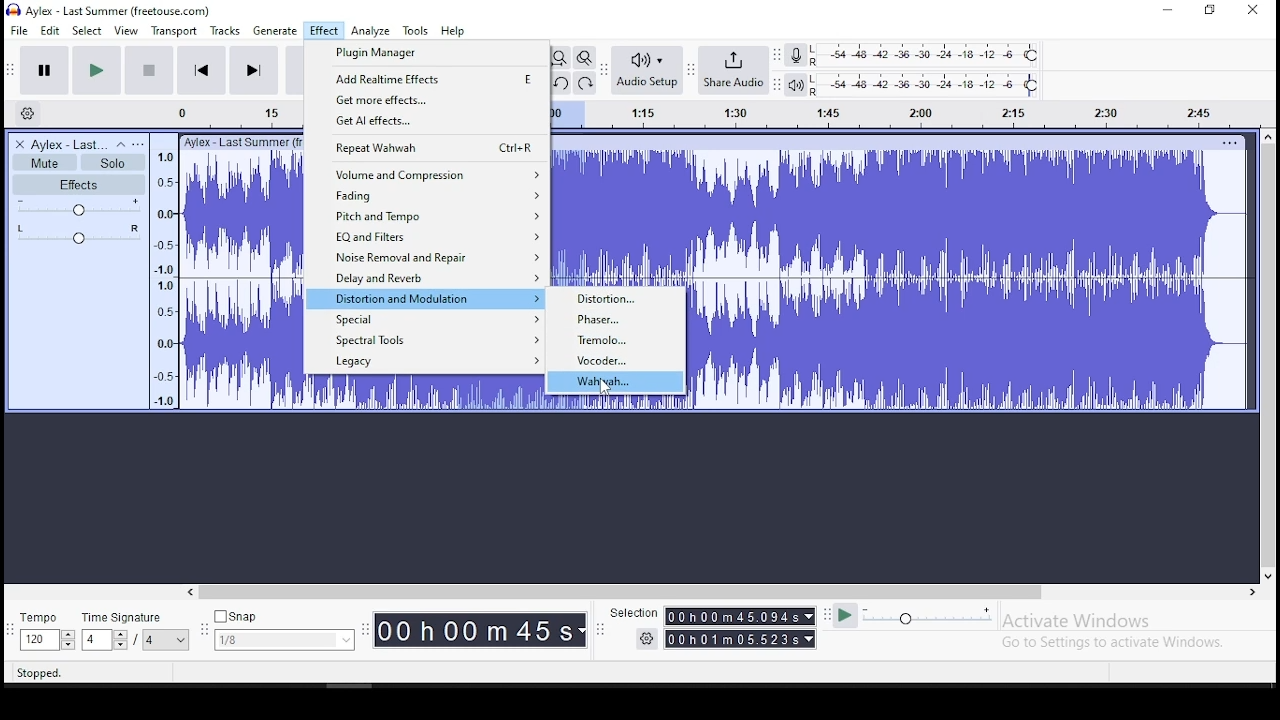  I want to click on get more effects, so click(426, 100).